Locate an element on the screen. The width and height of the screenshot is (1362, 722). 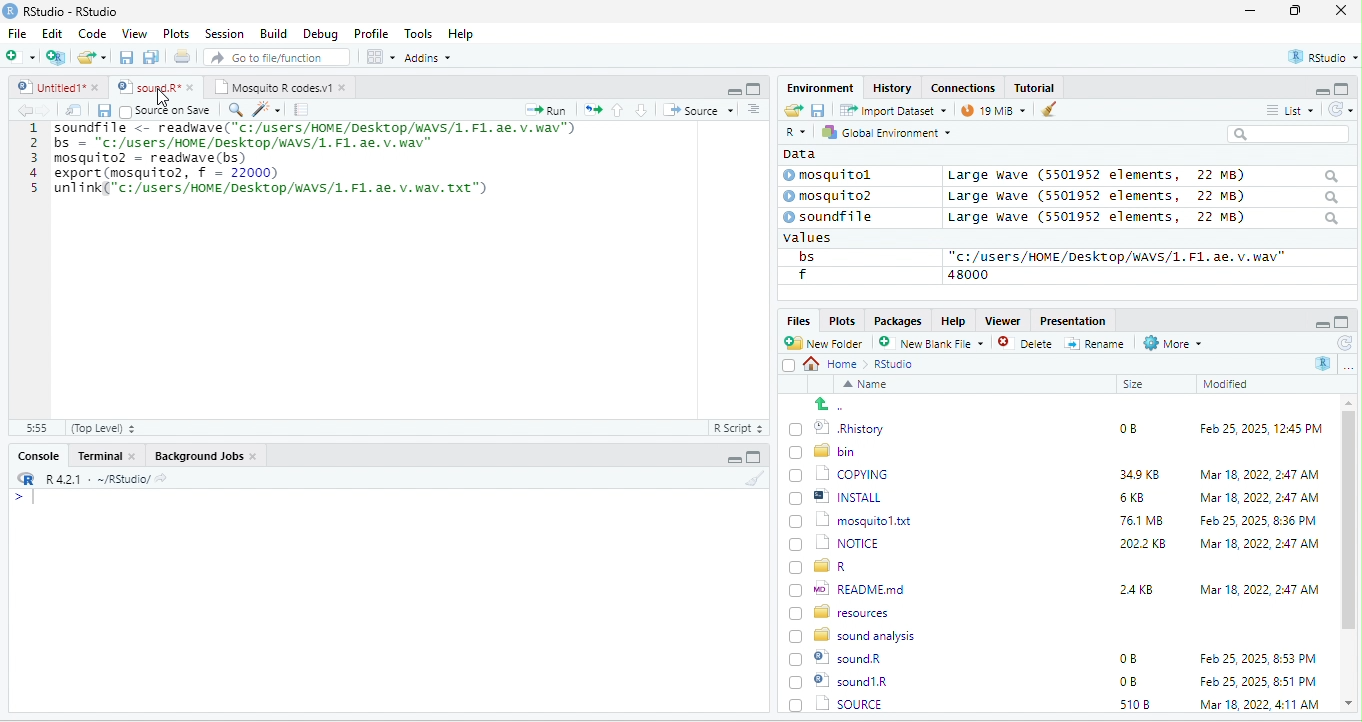
Build is located at coordinates (274, 33).